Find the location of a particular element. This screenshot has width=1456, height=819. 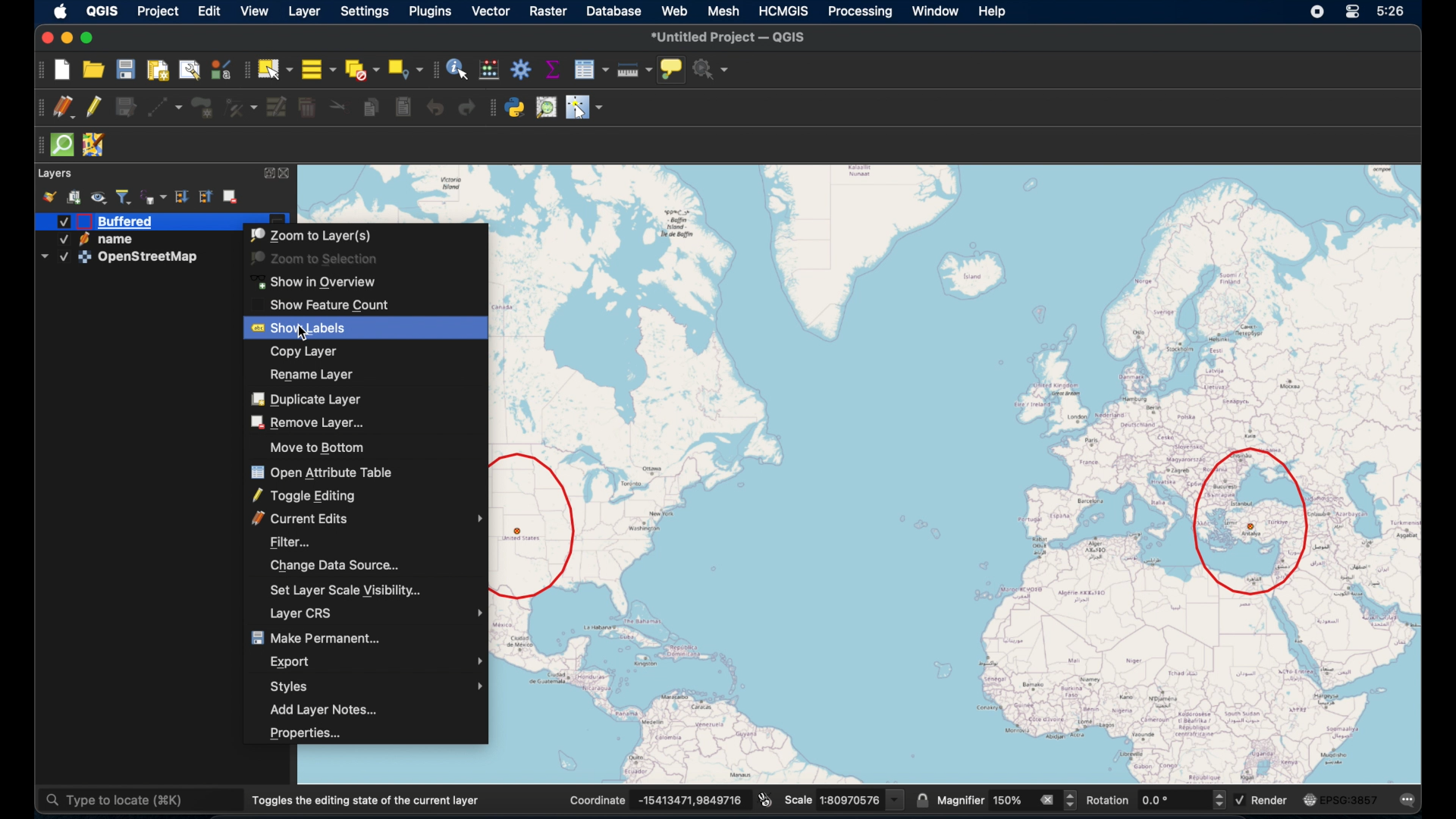

layers is located at coordinates (55, 171).